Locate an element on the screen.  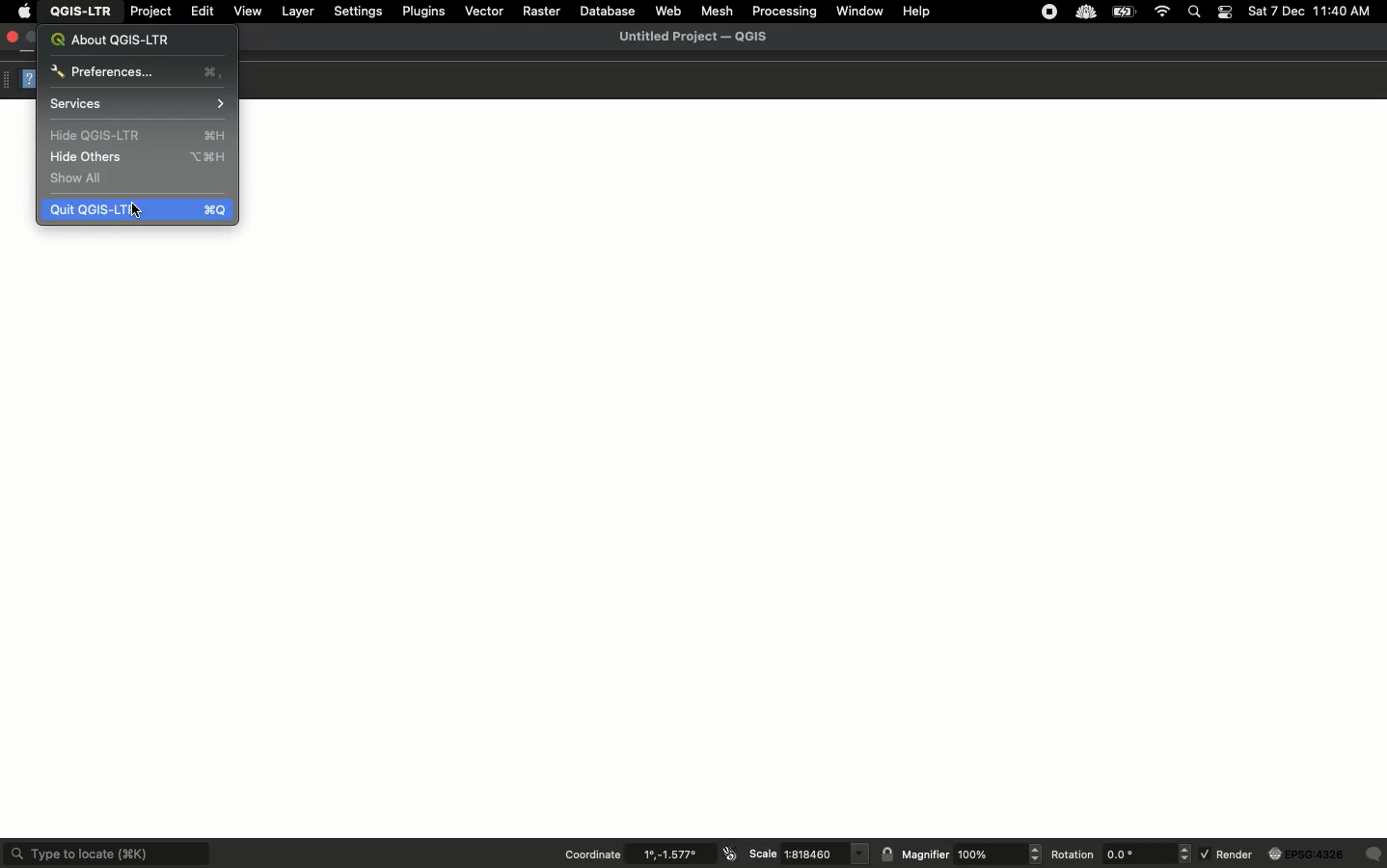
Database is located at coordinates (611, 11).